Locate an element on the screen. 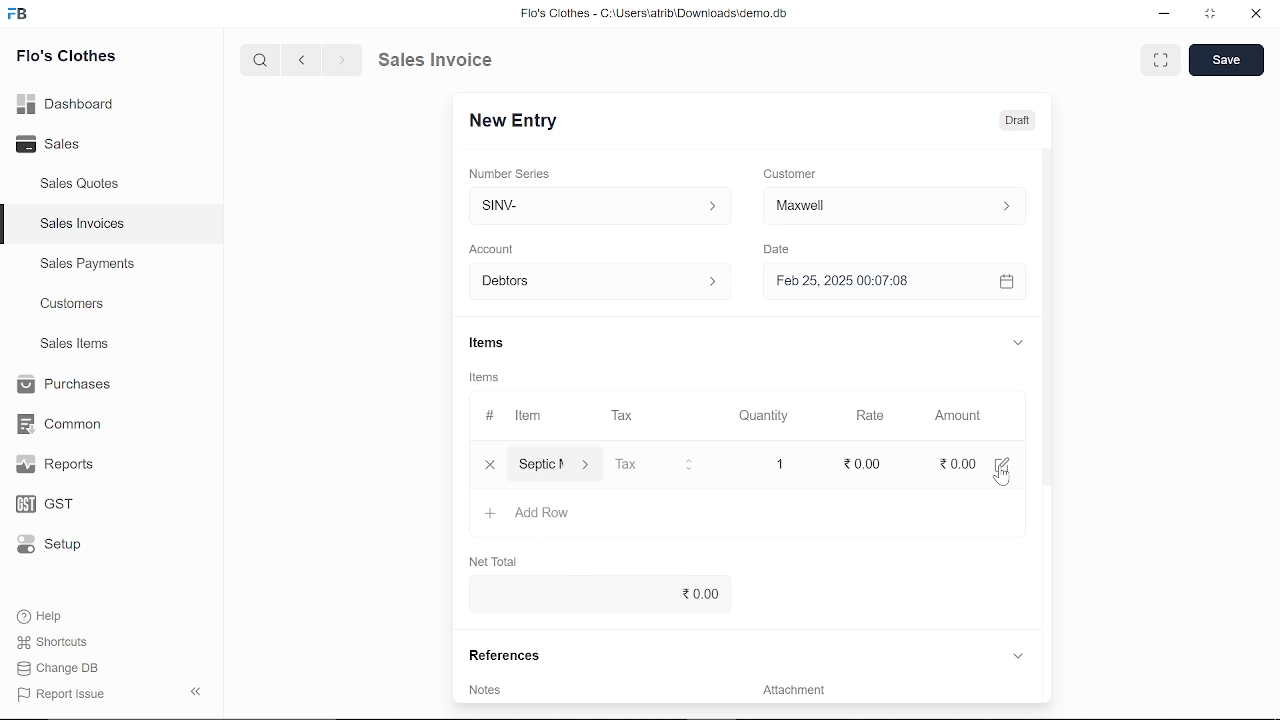  next is located at coordinates (342, 60).